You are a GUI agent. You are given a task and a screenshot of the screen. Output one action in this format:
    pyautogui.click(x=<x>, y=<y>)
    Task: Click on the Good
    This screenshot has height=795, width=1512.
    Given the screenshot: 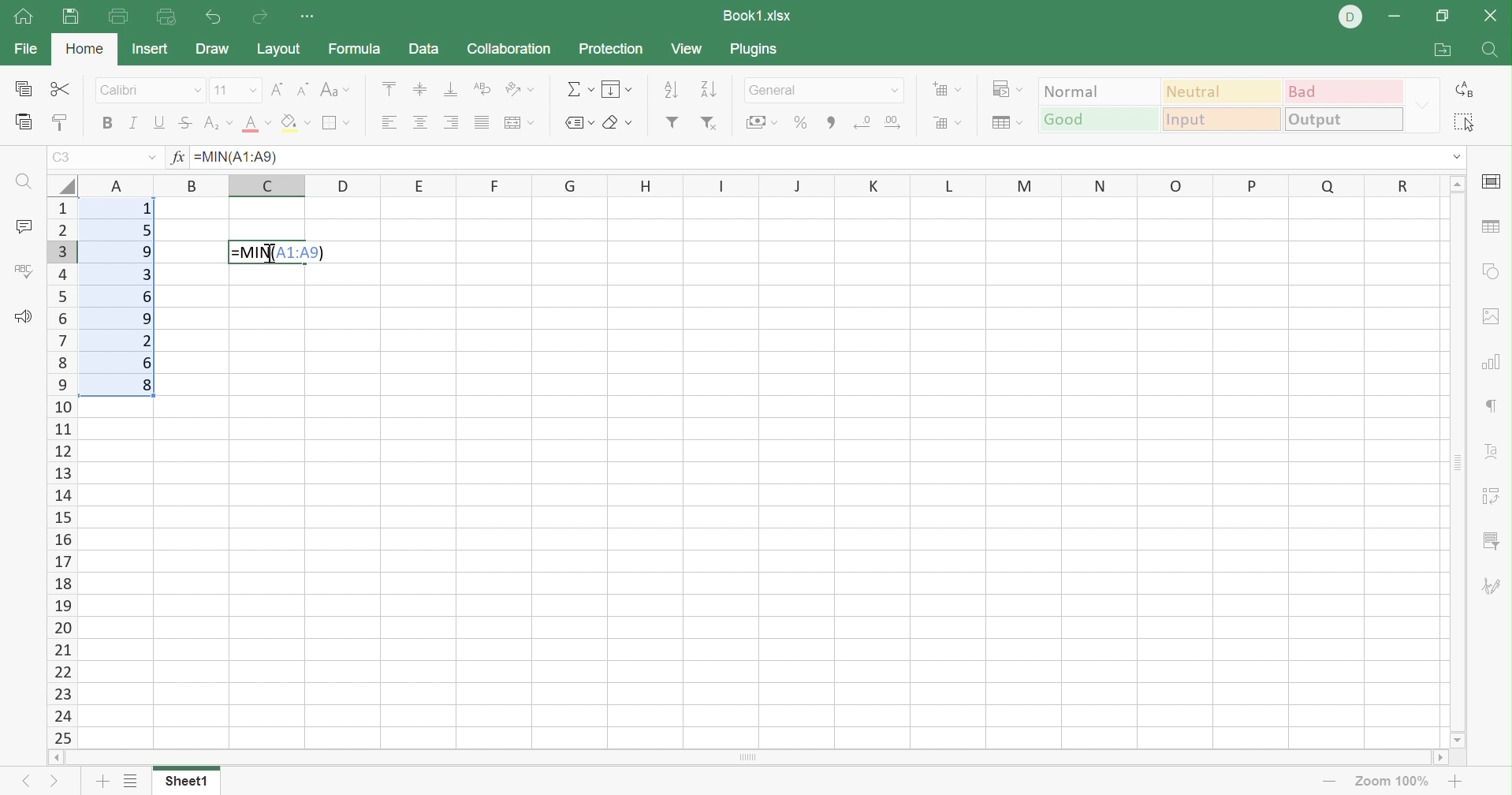 What is the action you would take?
    pyautogui.click(x=1099, y=118)
    